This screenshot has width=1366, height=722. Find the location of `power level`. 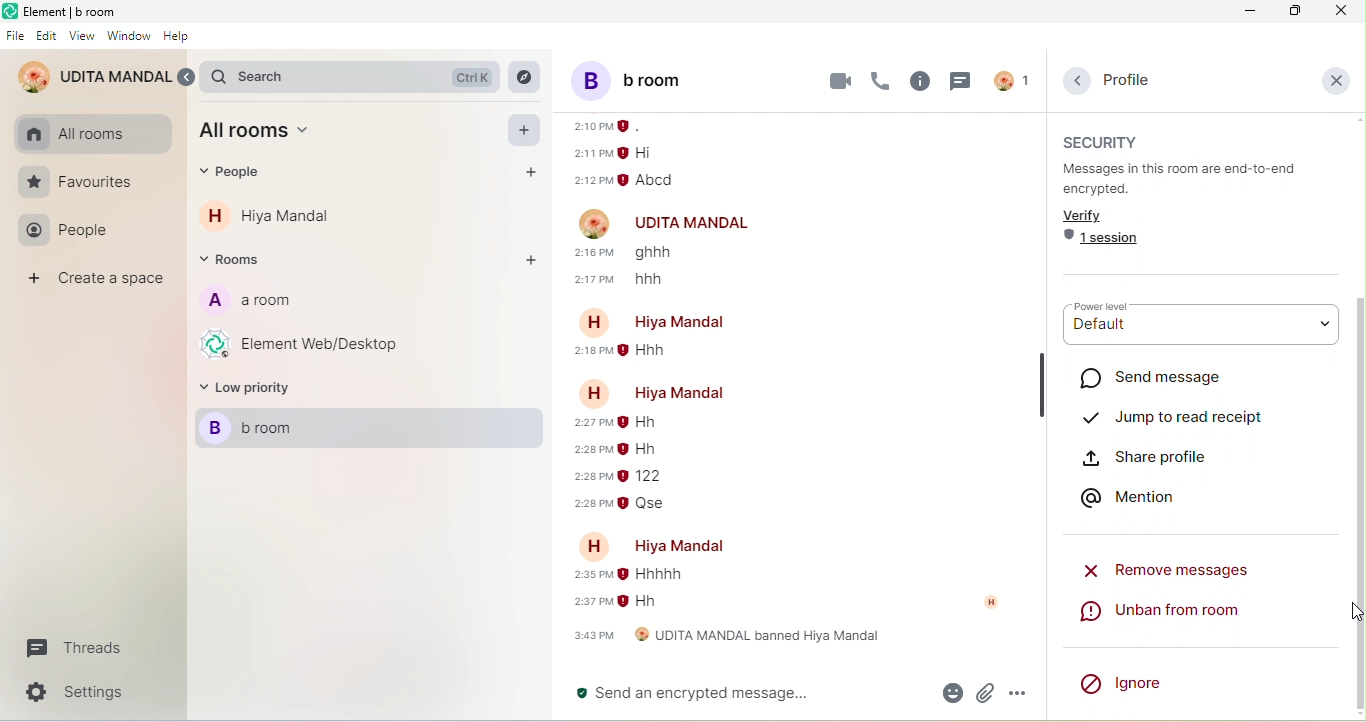

power level is located at coordinates (1110, 308).